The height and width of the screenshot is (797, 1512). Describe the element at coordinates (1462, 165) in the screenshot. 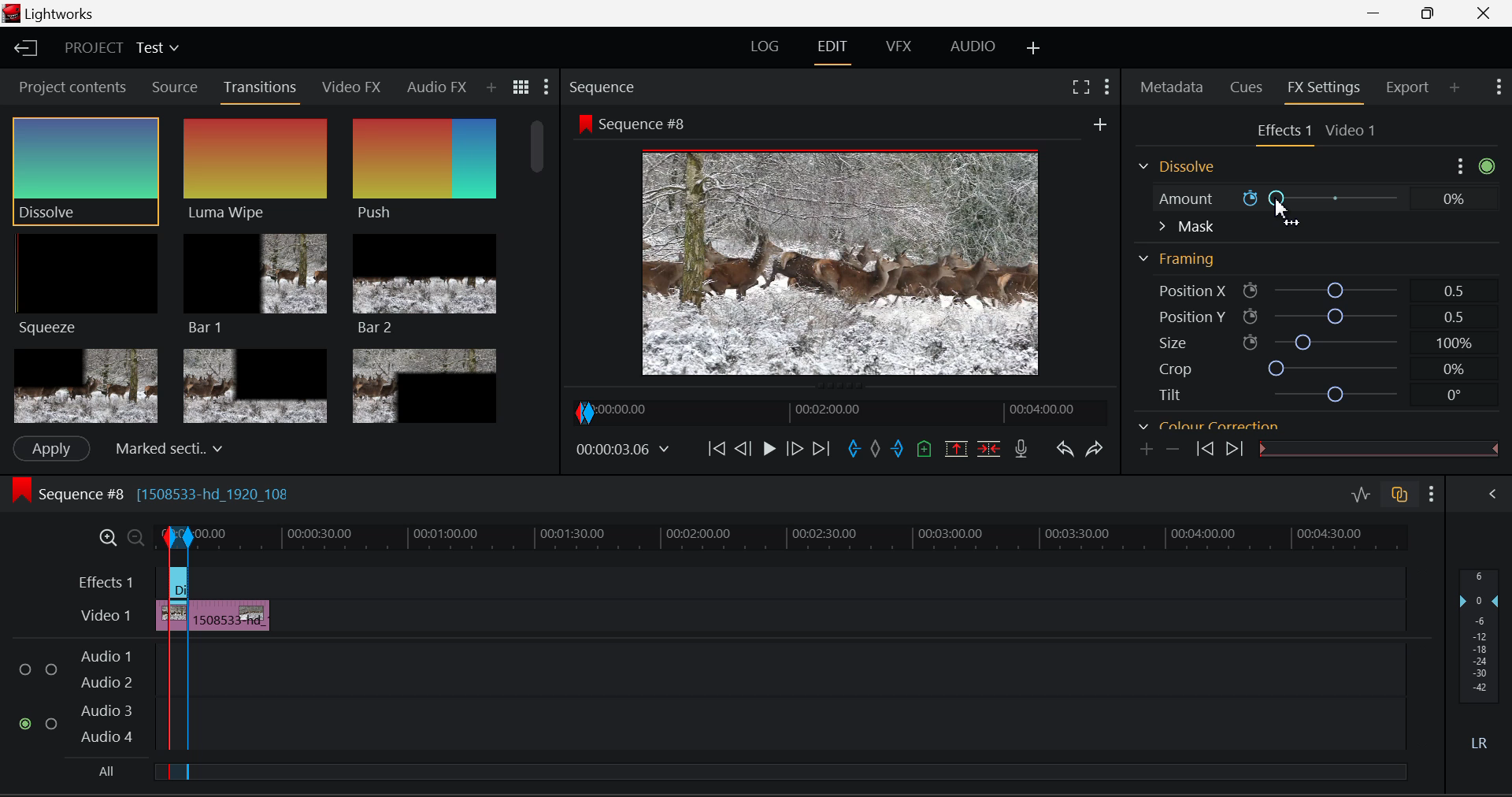

I see `Settings` at that location.